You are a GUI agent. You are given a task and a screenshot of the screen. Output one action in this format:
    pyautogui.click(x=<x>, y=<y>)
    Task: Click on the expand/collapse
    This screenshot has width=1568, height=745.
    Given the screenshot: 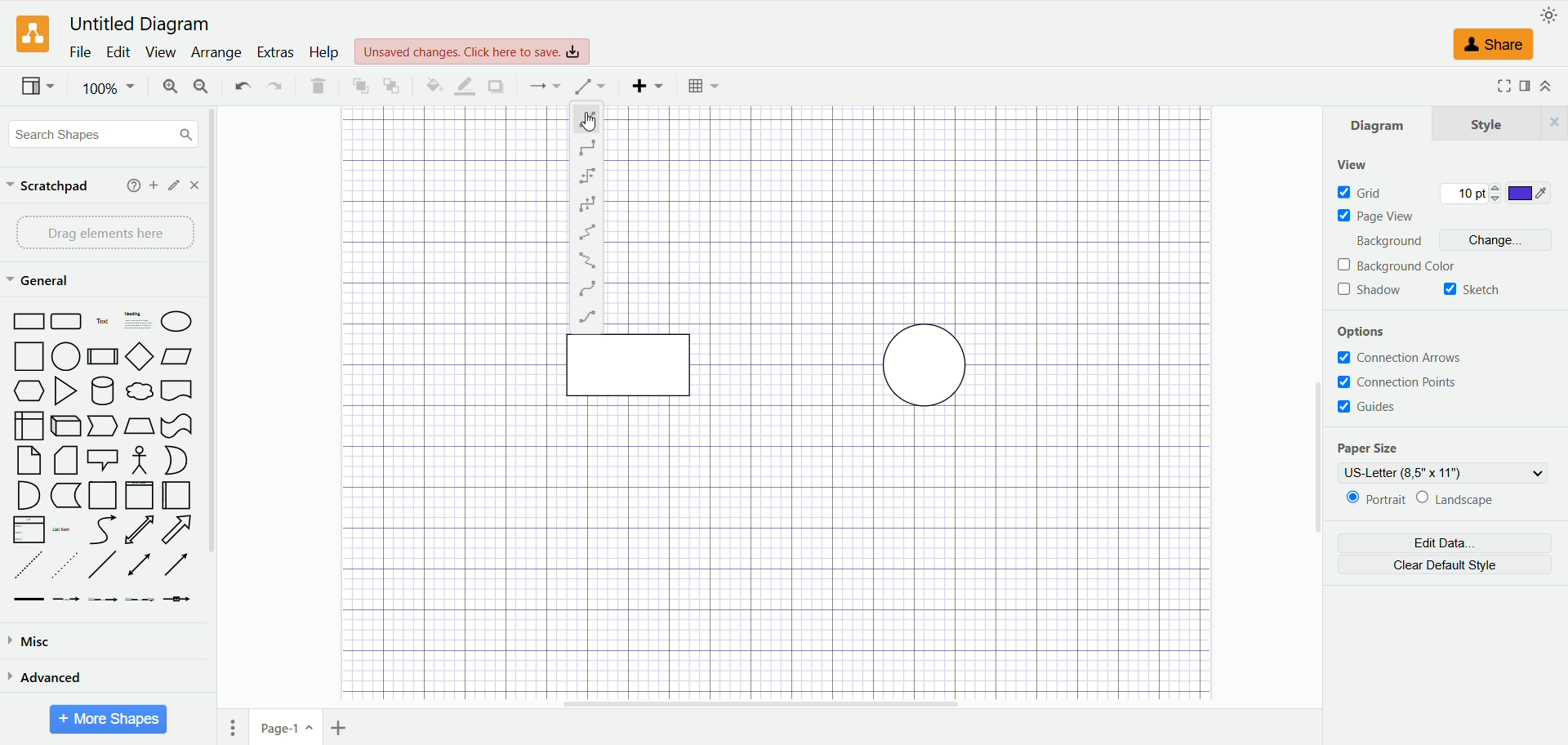 What is the action you would take?
    pyautogui.click(x=1546, y=86)
    